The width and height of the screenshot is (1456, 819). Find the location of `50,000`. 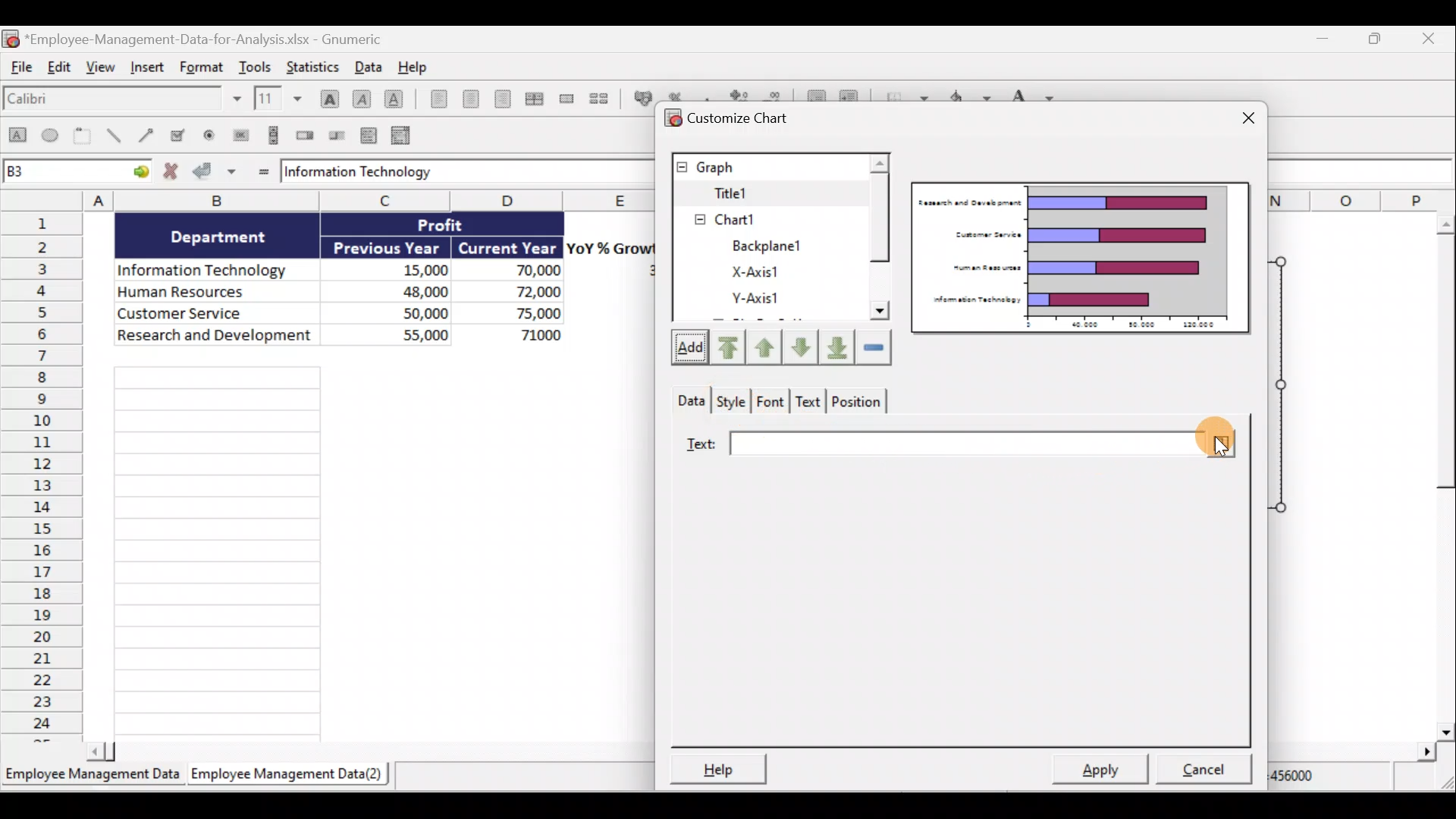

50,000 is located at coordinates (409, 312).